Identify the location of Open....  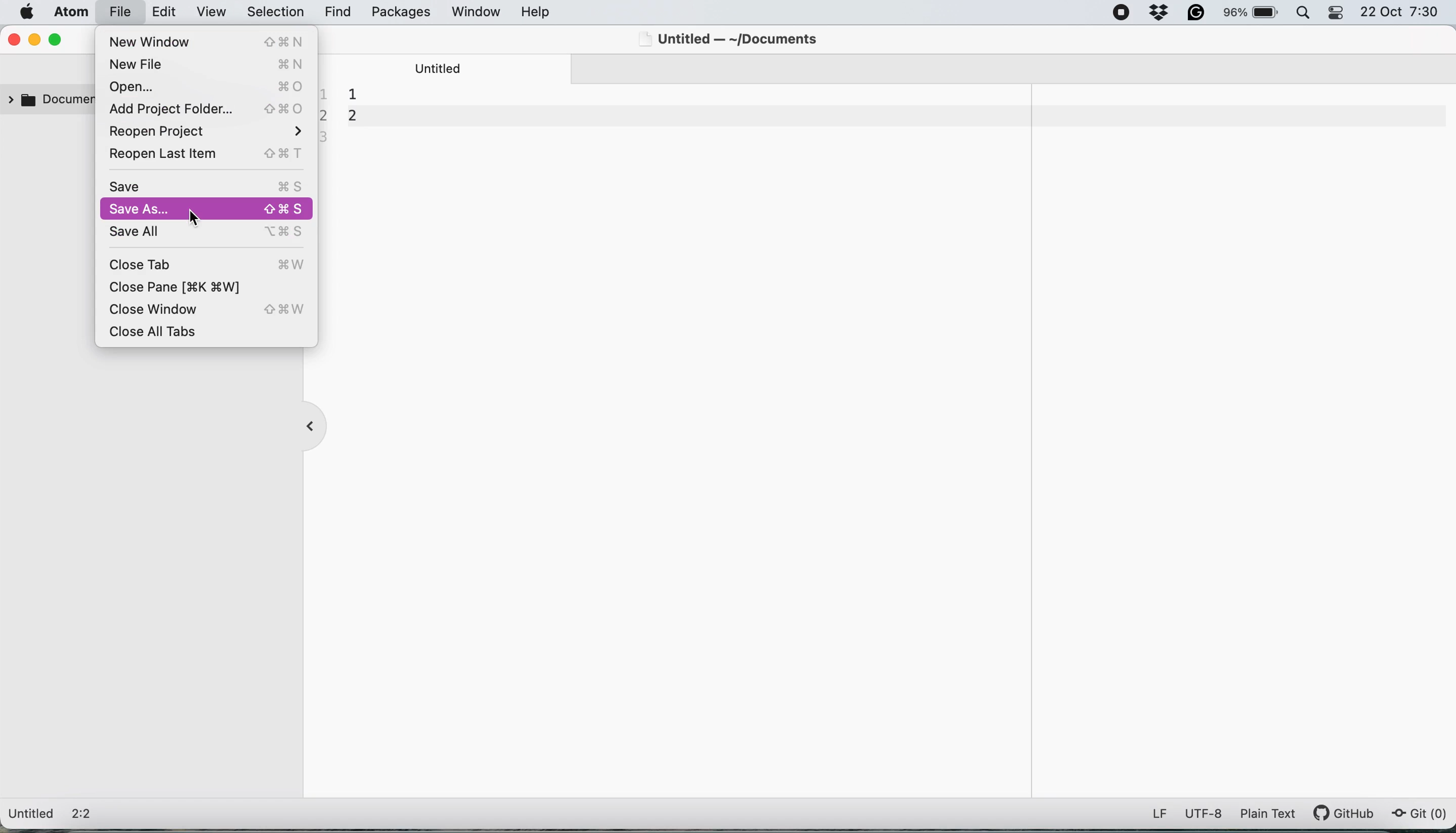
(206, 85).